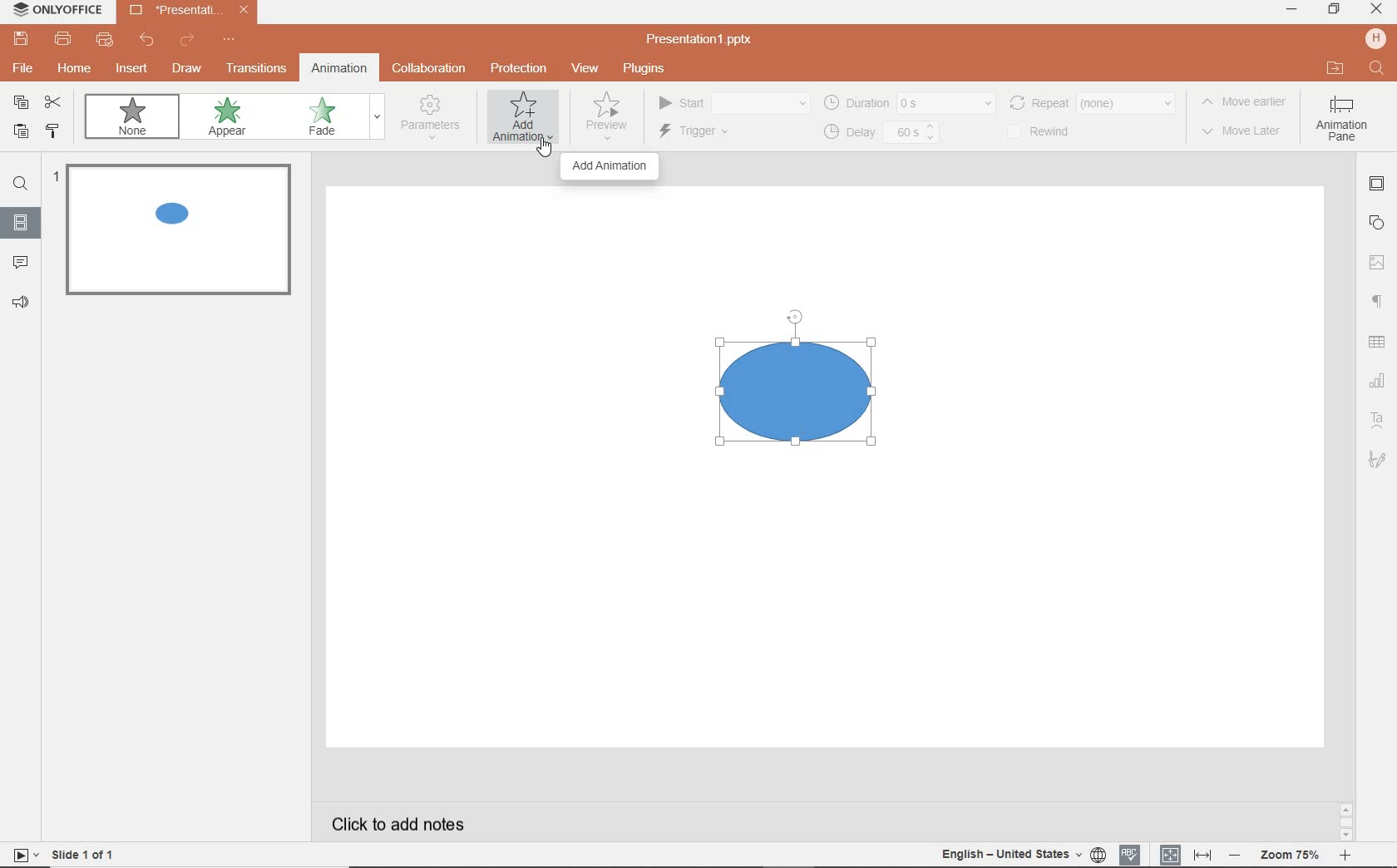 The width and height of the screenshot is (1397, 868). Describe the element at coordinates (1171, 851) in the screenshot. I see `fit to slide` at that location.